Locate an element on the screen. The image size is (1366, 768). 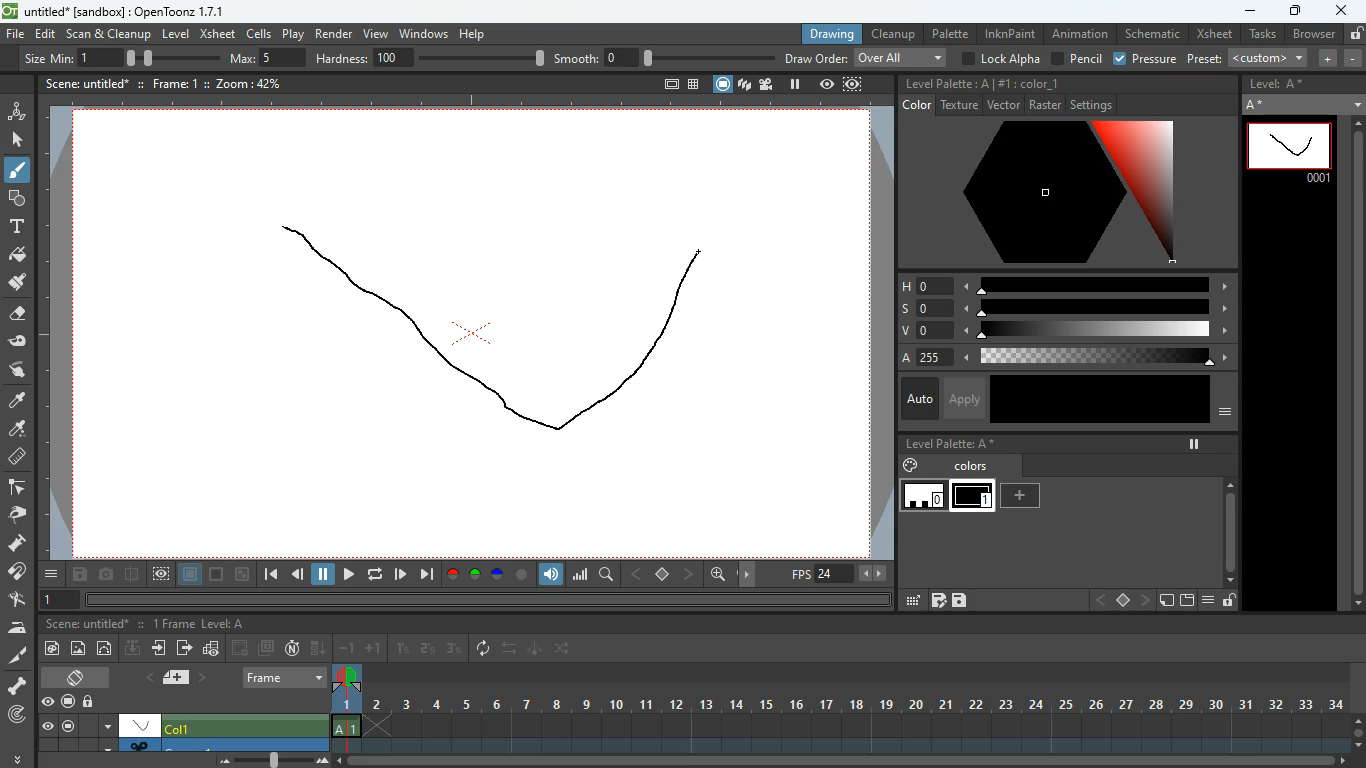
pump is located at coordinates (17, 544).